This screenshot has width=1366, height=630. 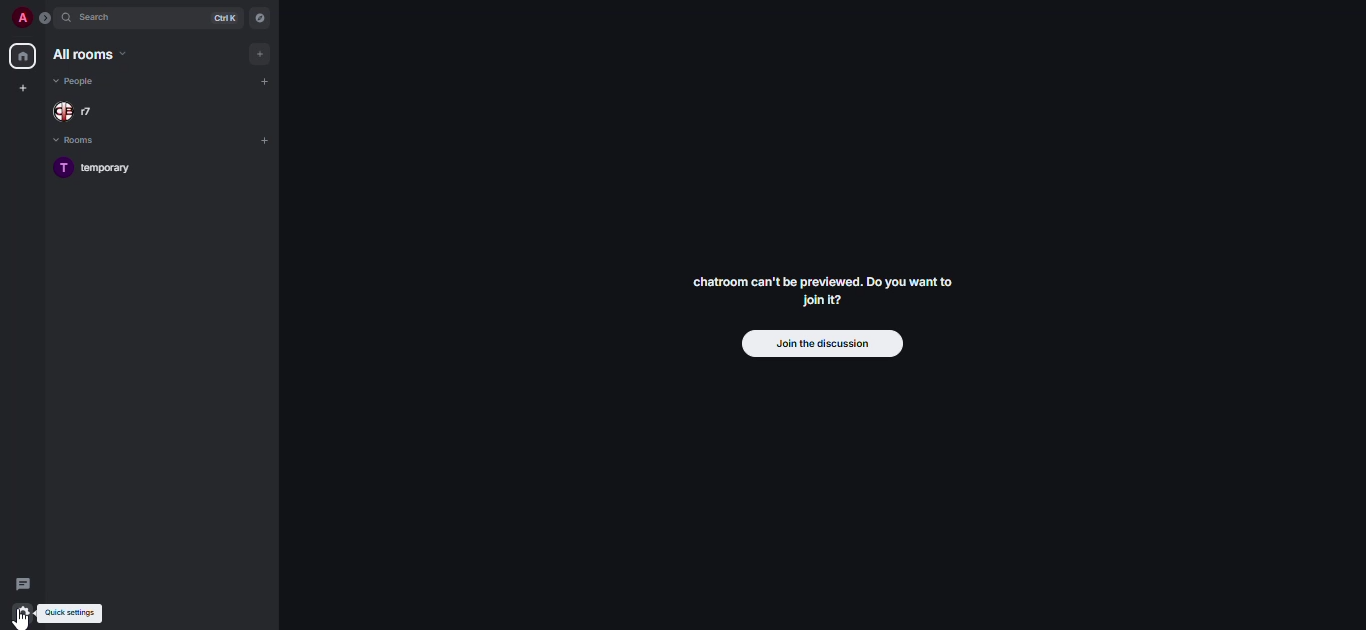 I want to click on rooms, so click(x=73, y=141).